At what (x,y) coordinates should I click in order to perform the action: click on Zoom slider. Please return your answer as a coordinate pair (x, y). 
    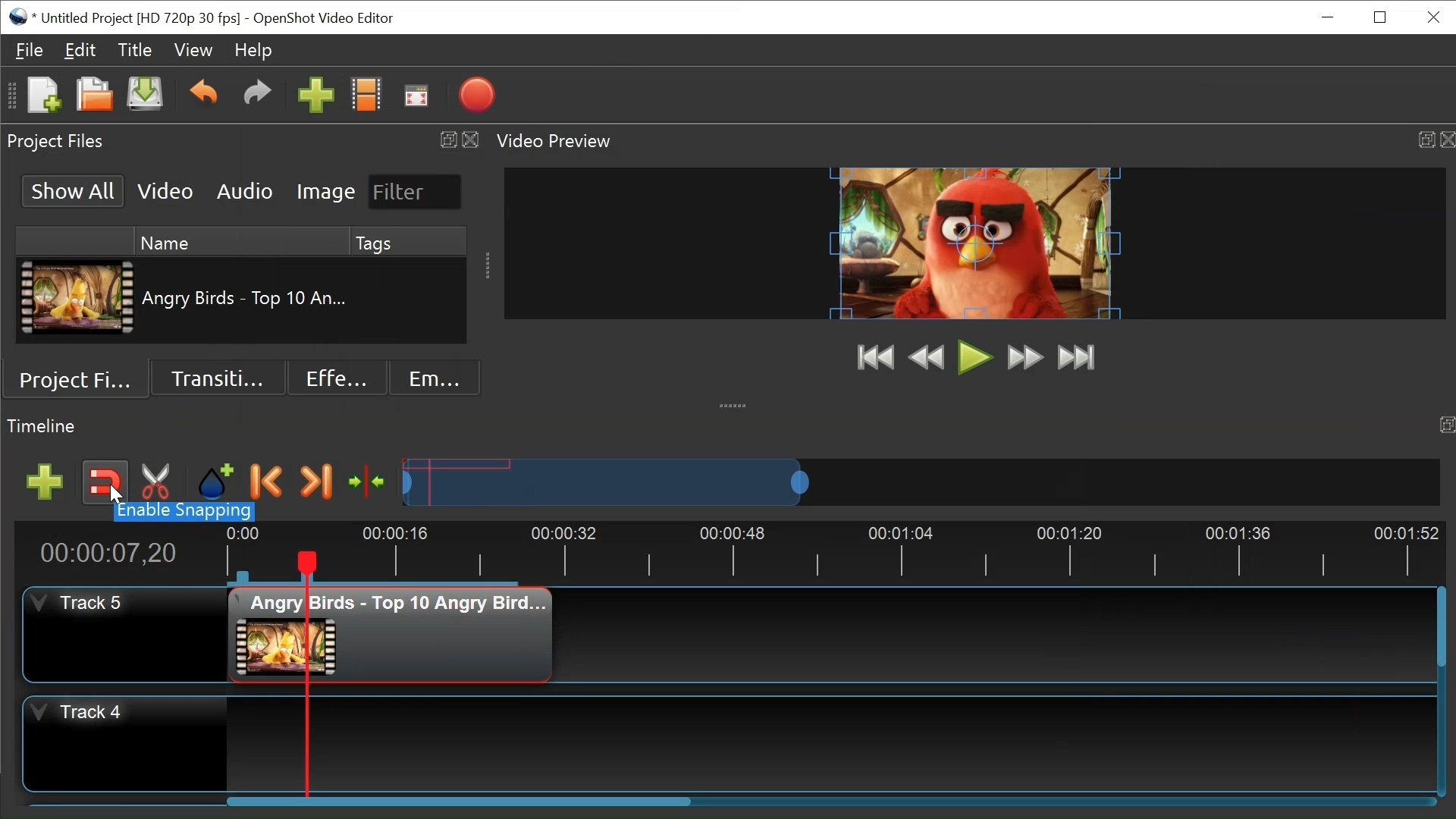
    Looking at the image, I should click on (921, 482).